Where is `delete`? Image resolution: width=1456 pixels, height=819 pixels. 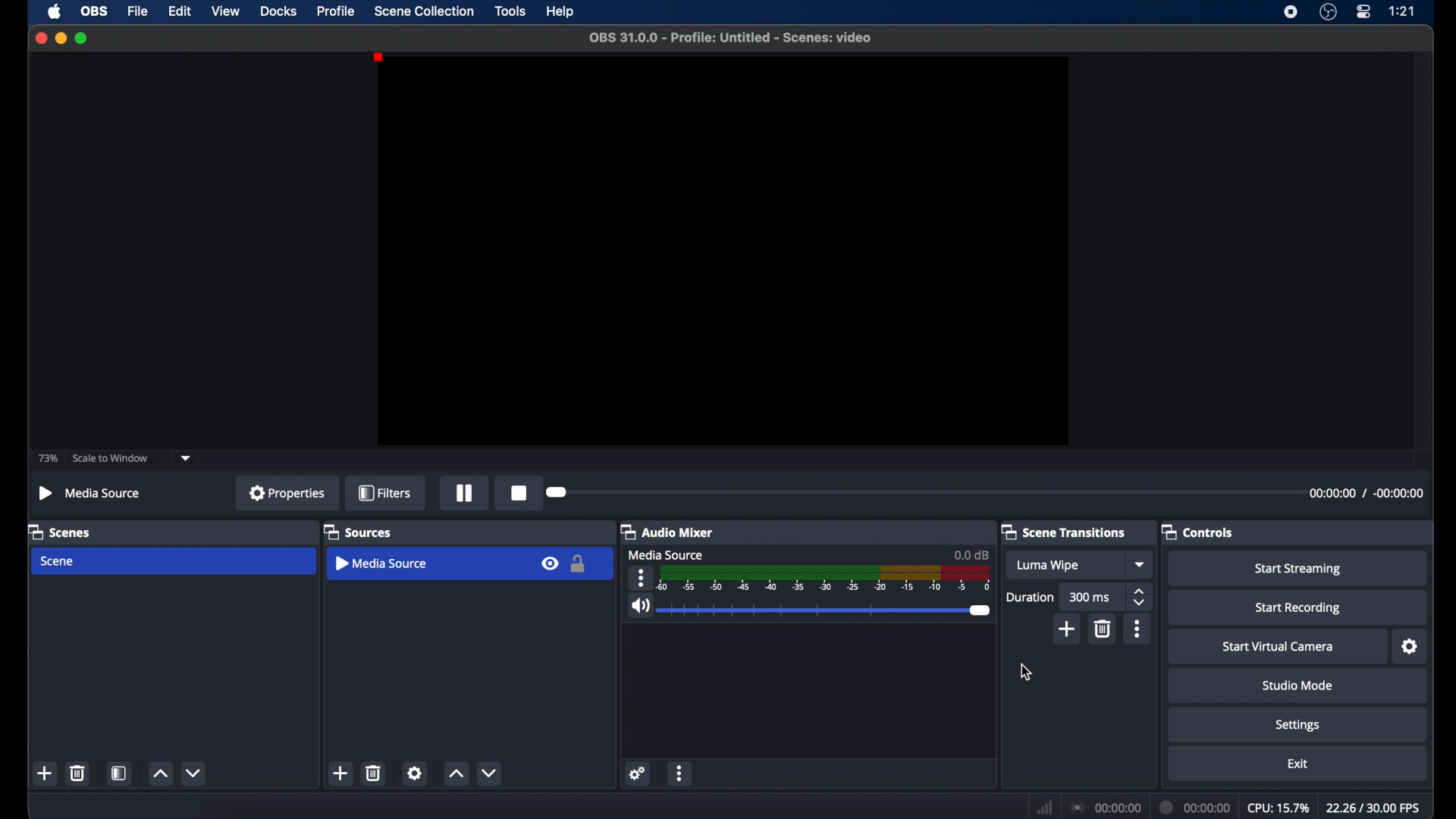 delete is located at coordinates (1103, 629).